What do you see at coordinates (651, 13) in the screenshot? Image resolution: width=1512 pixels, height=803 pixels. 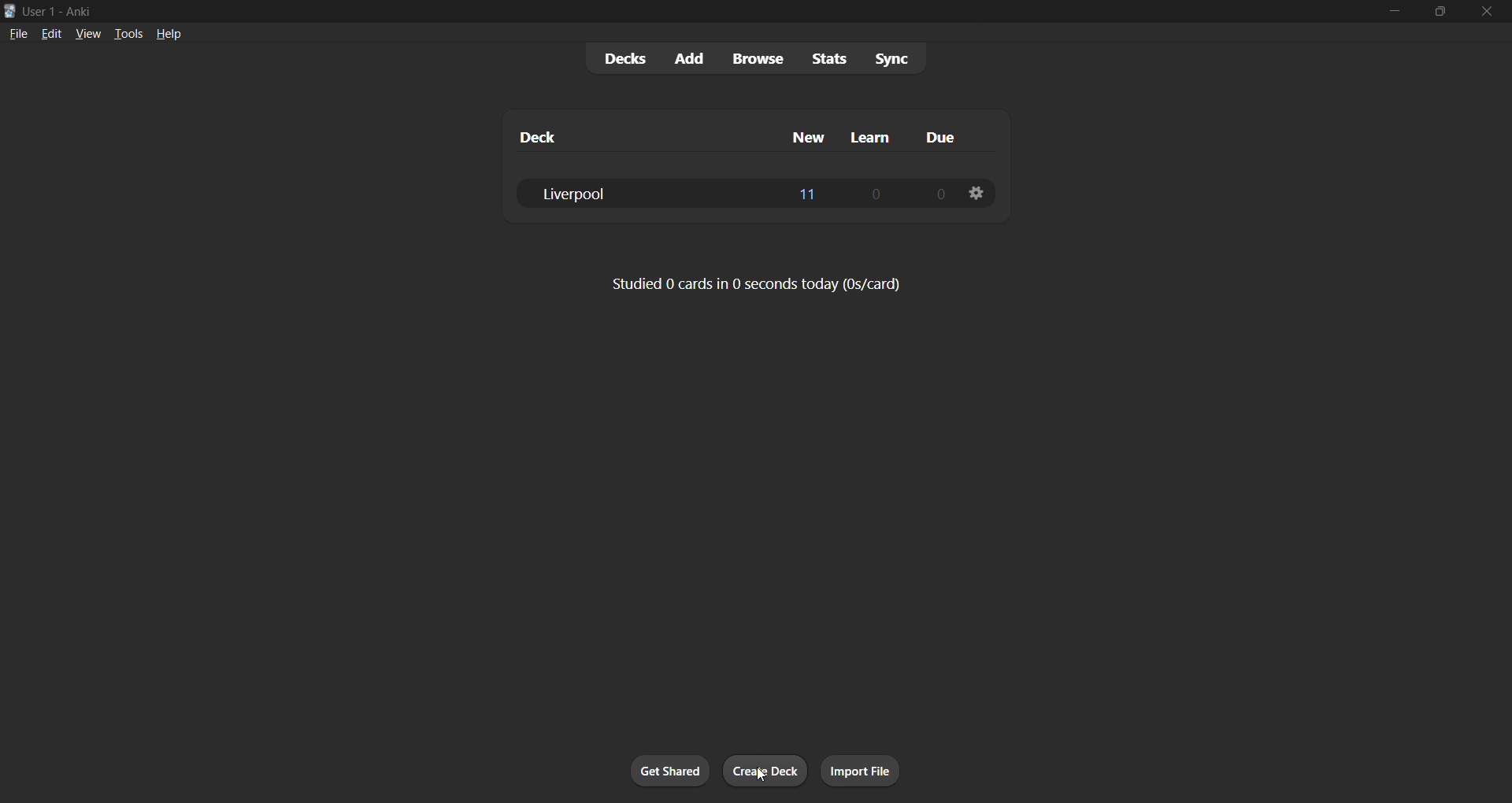 I see `title bar` at bounding box center [651, 13].